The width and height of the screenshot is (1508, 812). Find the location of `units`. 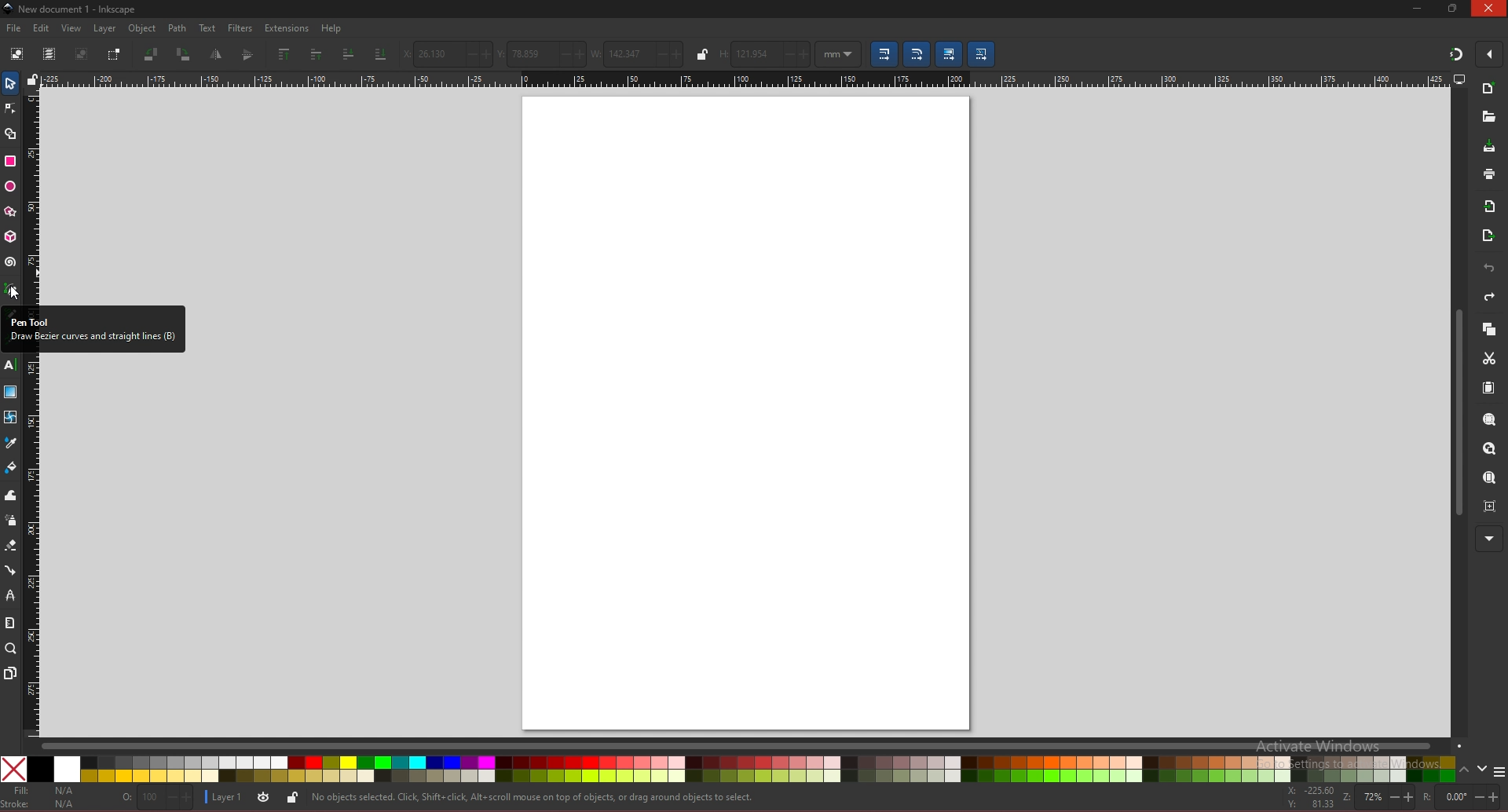

units is located at coordinates (839, 54).